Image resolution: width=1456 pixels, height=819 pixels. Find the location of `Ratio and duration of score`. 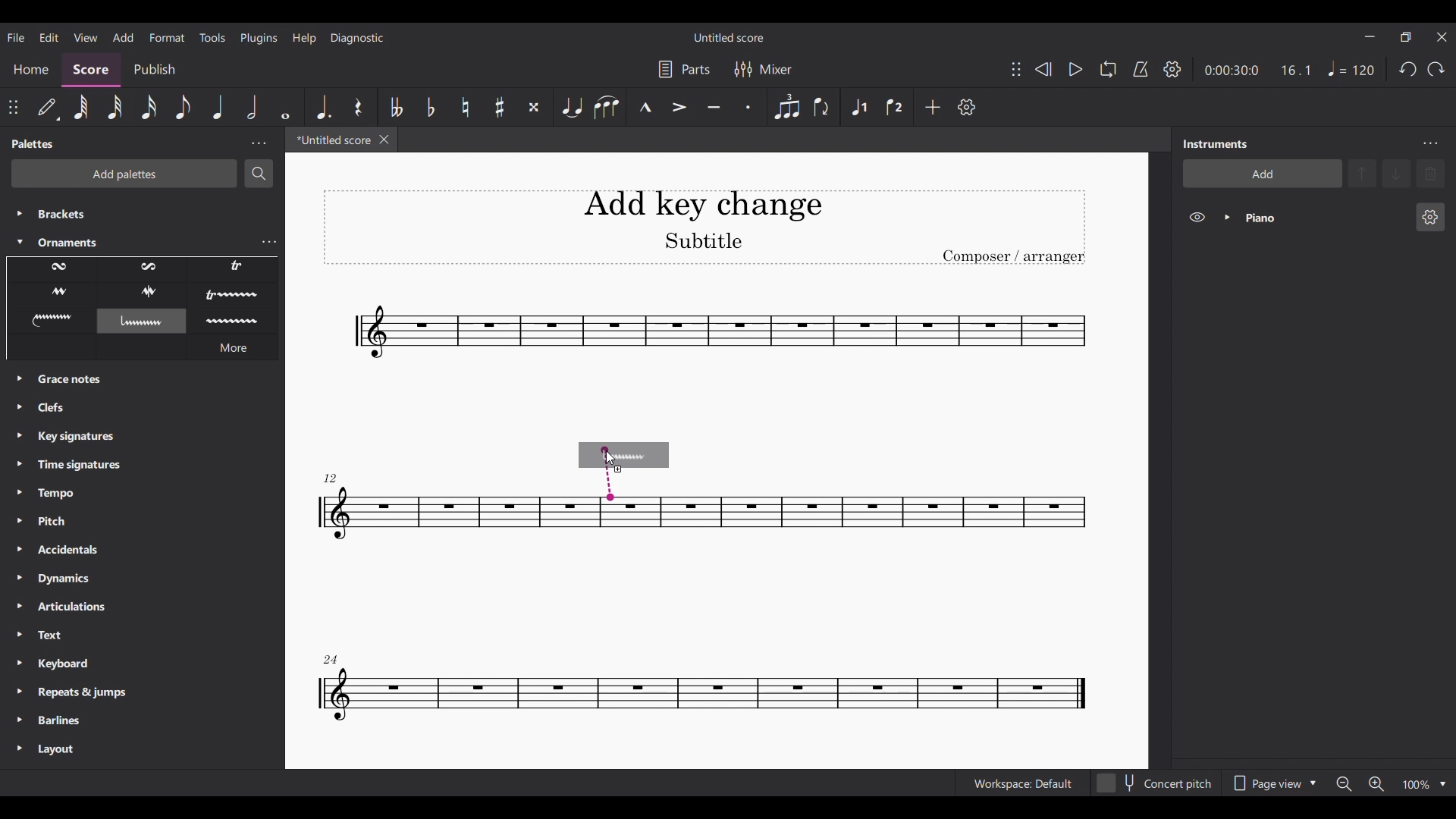

Ratio and duration of score is located at coordinates (1257, 70).